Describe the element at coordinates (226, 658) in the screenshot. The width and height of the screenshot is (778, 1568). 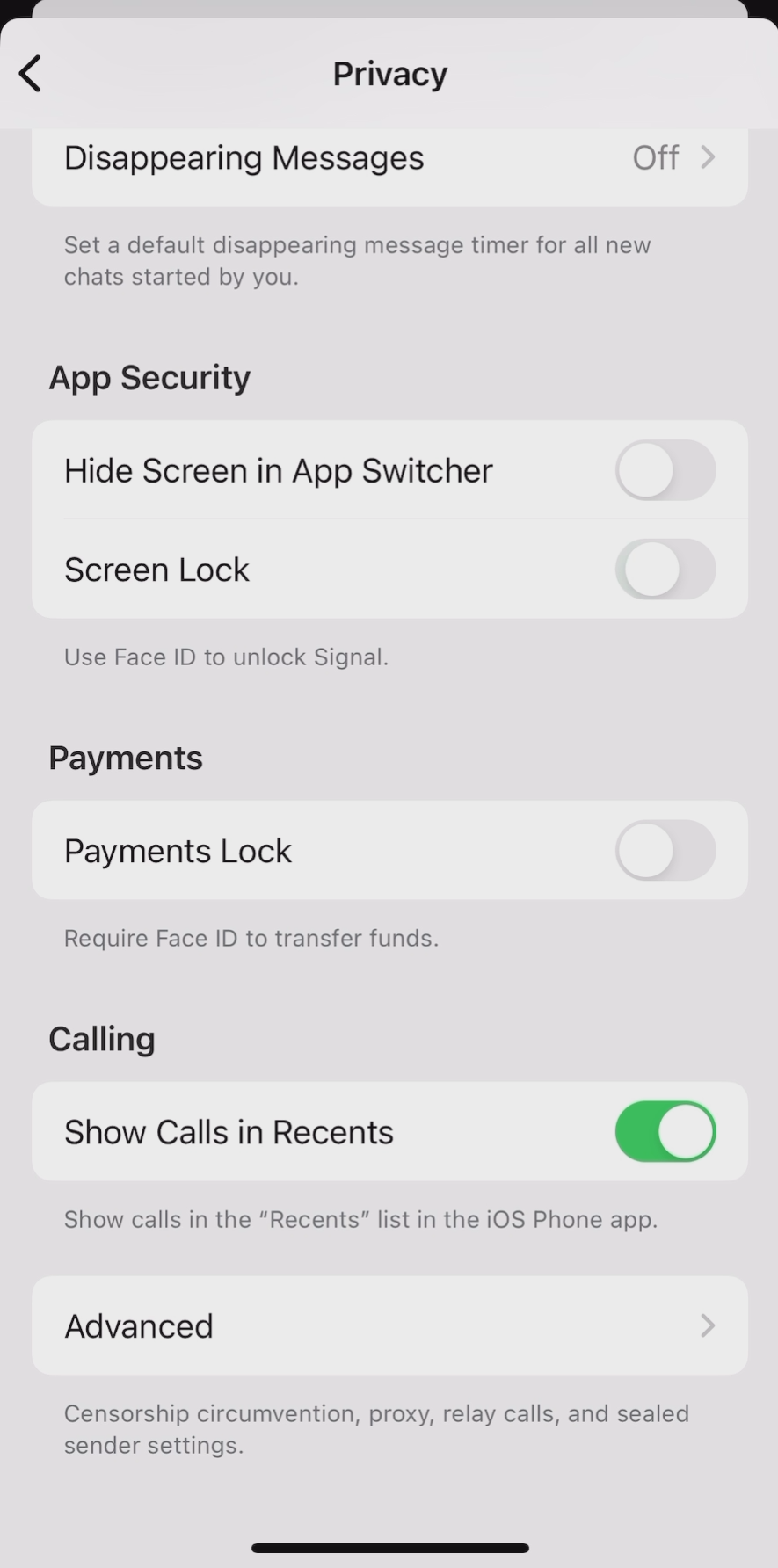
I see `Use Face ID to unlock Signal.` at that location.